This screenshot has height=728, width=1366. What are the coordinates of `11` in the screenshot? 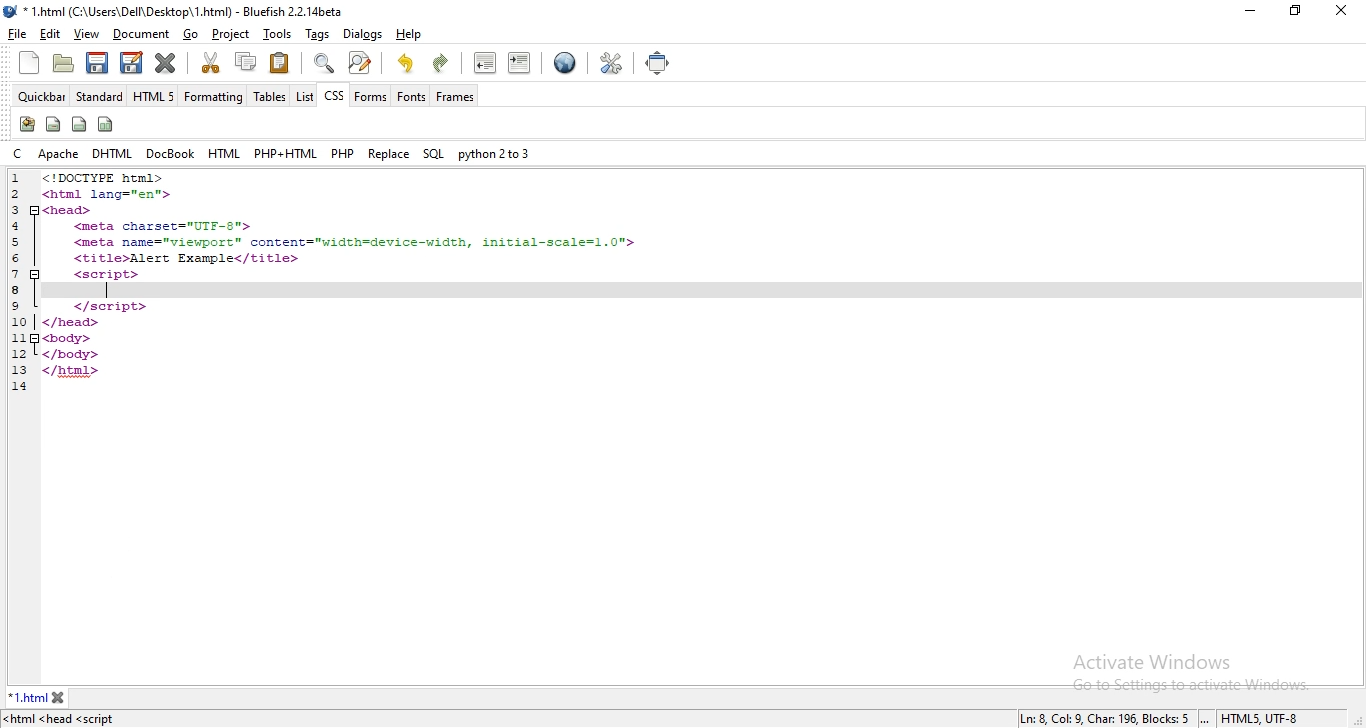 It's located at (18, 338).